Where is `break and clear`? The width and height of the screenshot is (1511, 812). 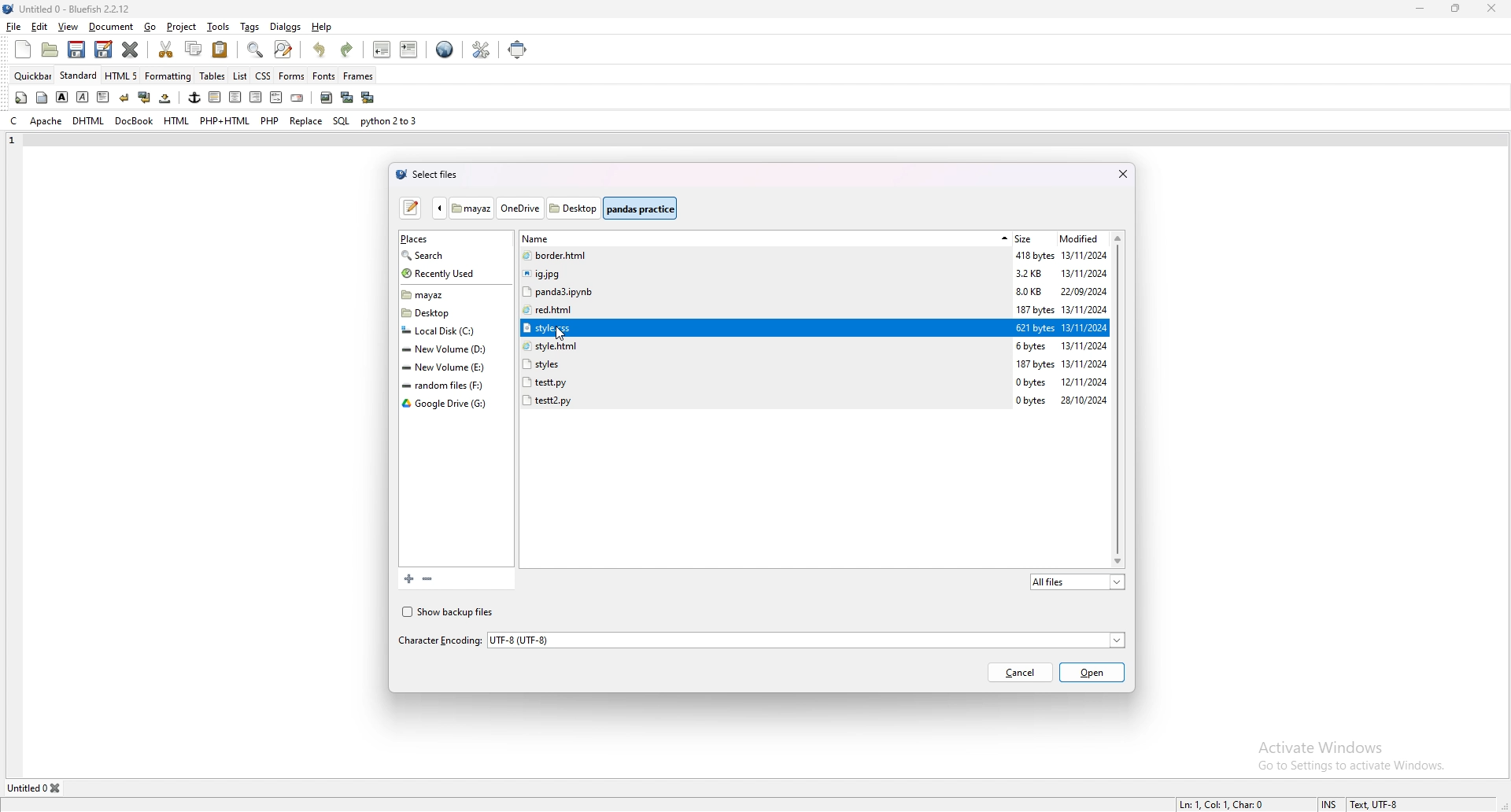 break and clear is located at coordinates (146, 97).